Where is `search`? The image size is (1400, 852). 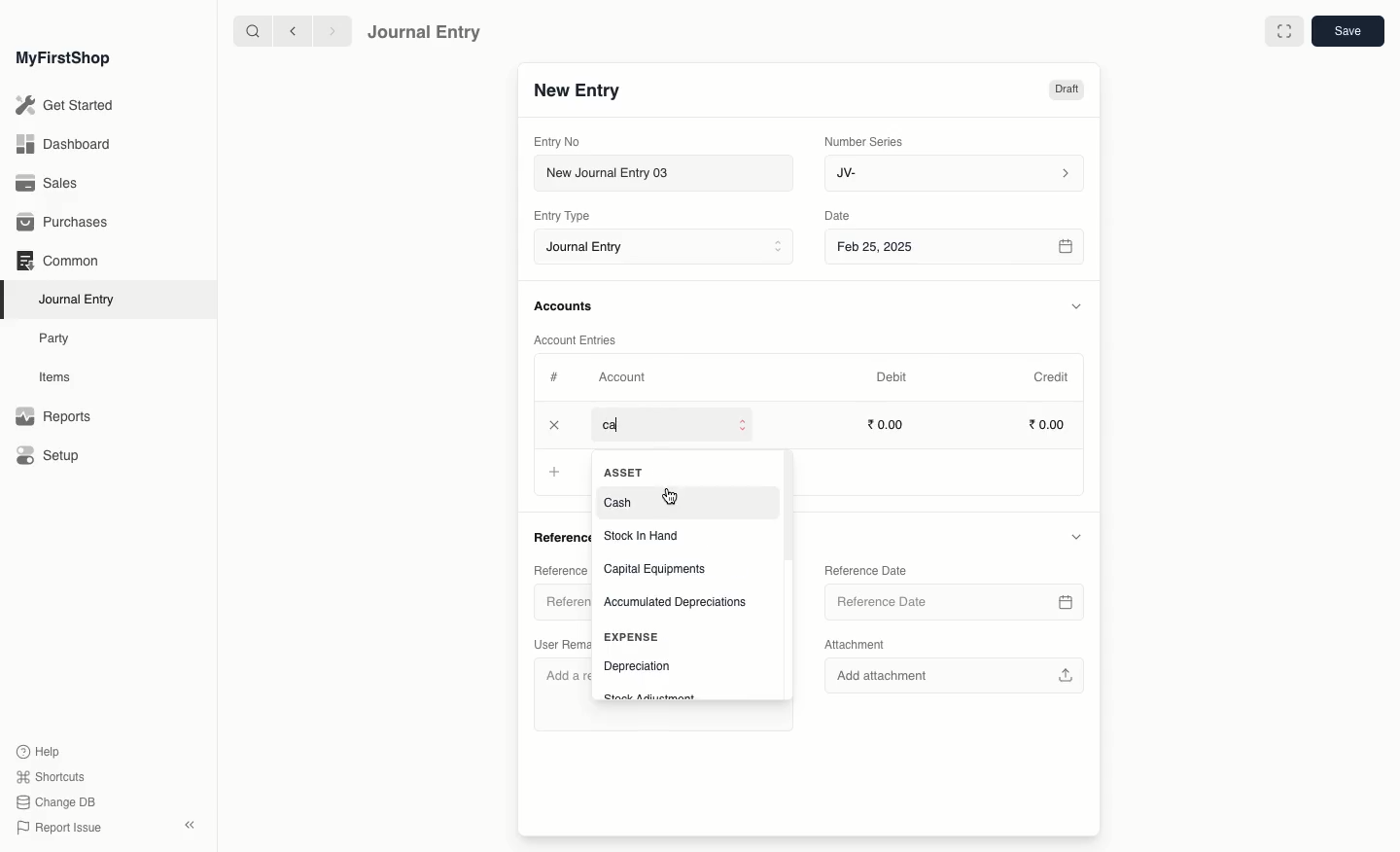 search is located at coordinates (248, 31).